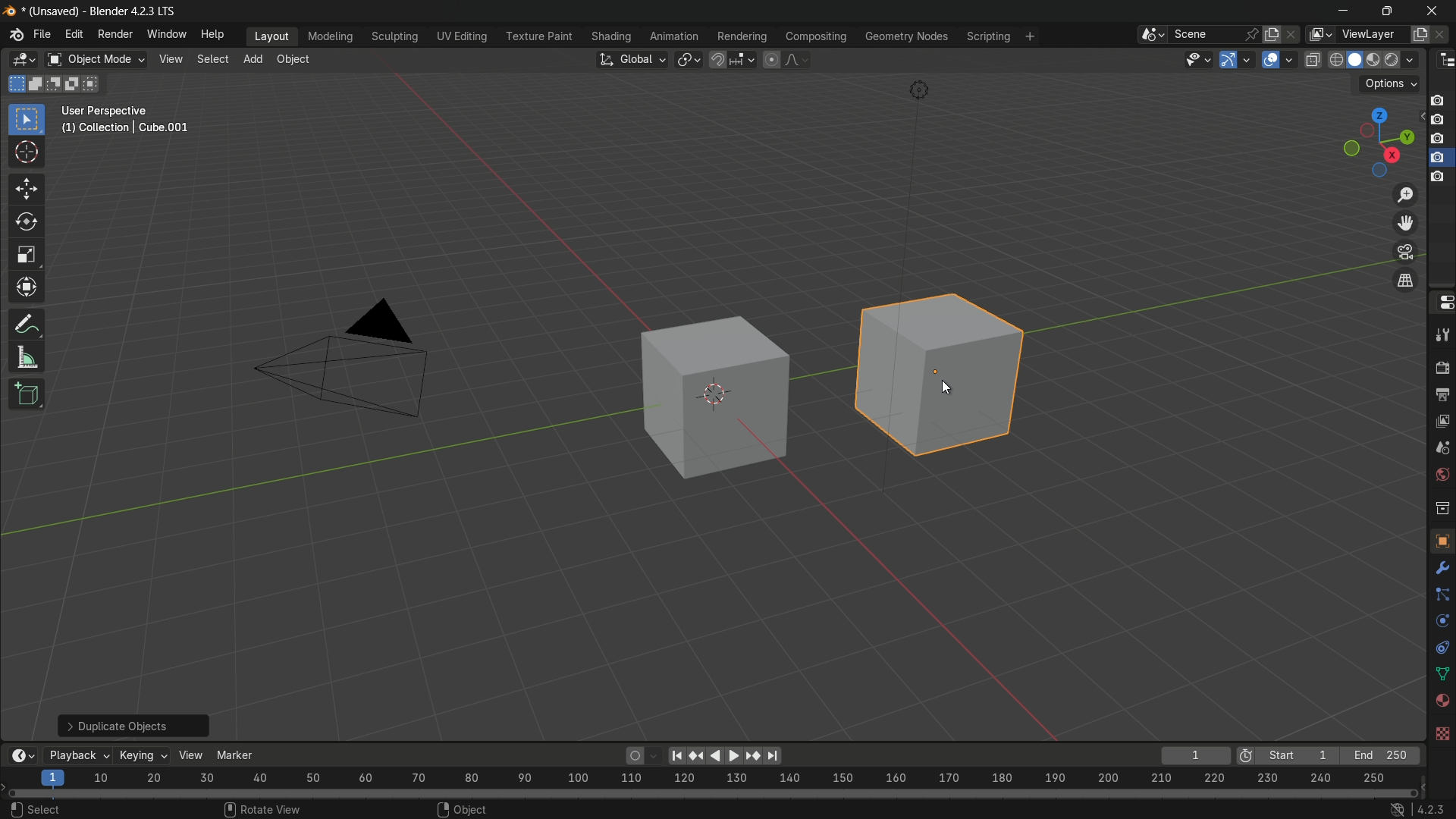 This screenshot has height=819, width=1456. I want to click on Before Screen, so click(675, 753).